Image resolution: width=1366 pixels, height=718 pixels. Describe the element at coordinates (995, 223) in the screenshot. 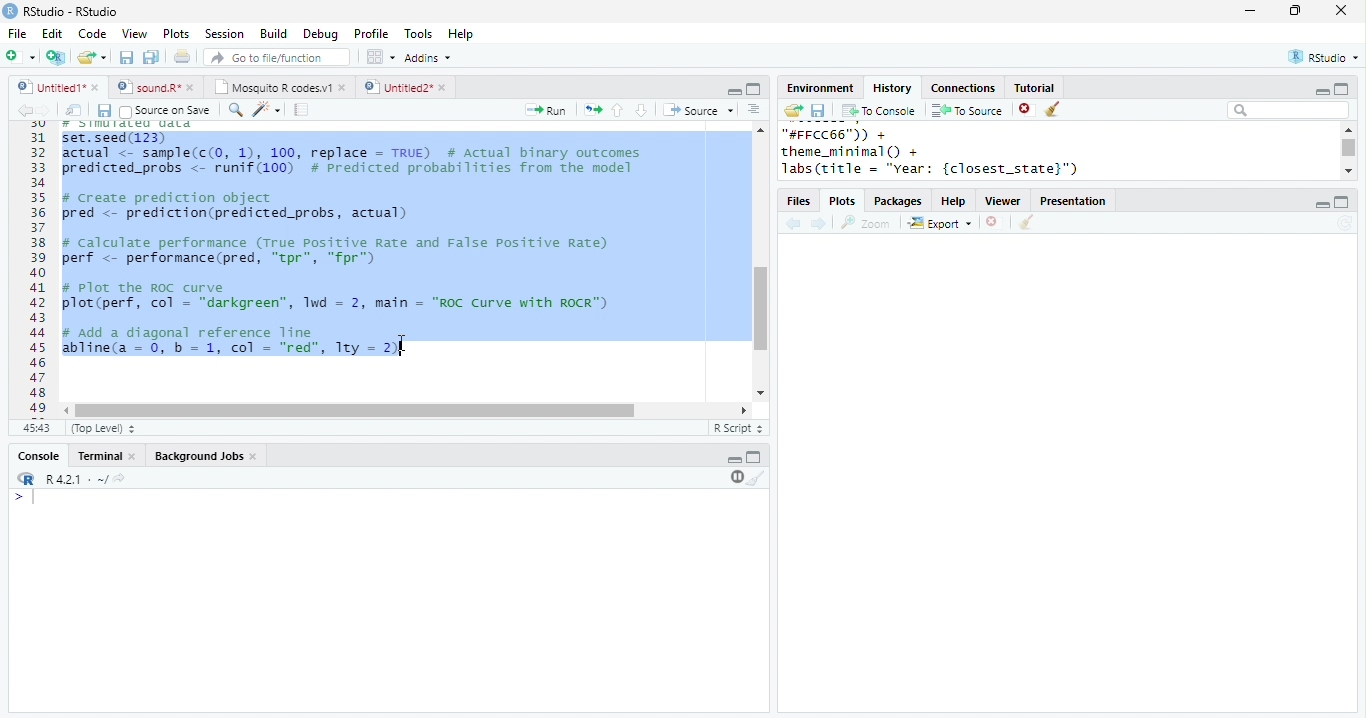

I see `close file` at that location.